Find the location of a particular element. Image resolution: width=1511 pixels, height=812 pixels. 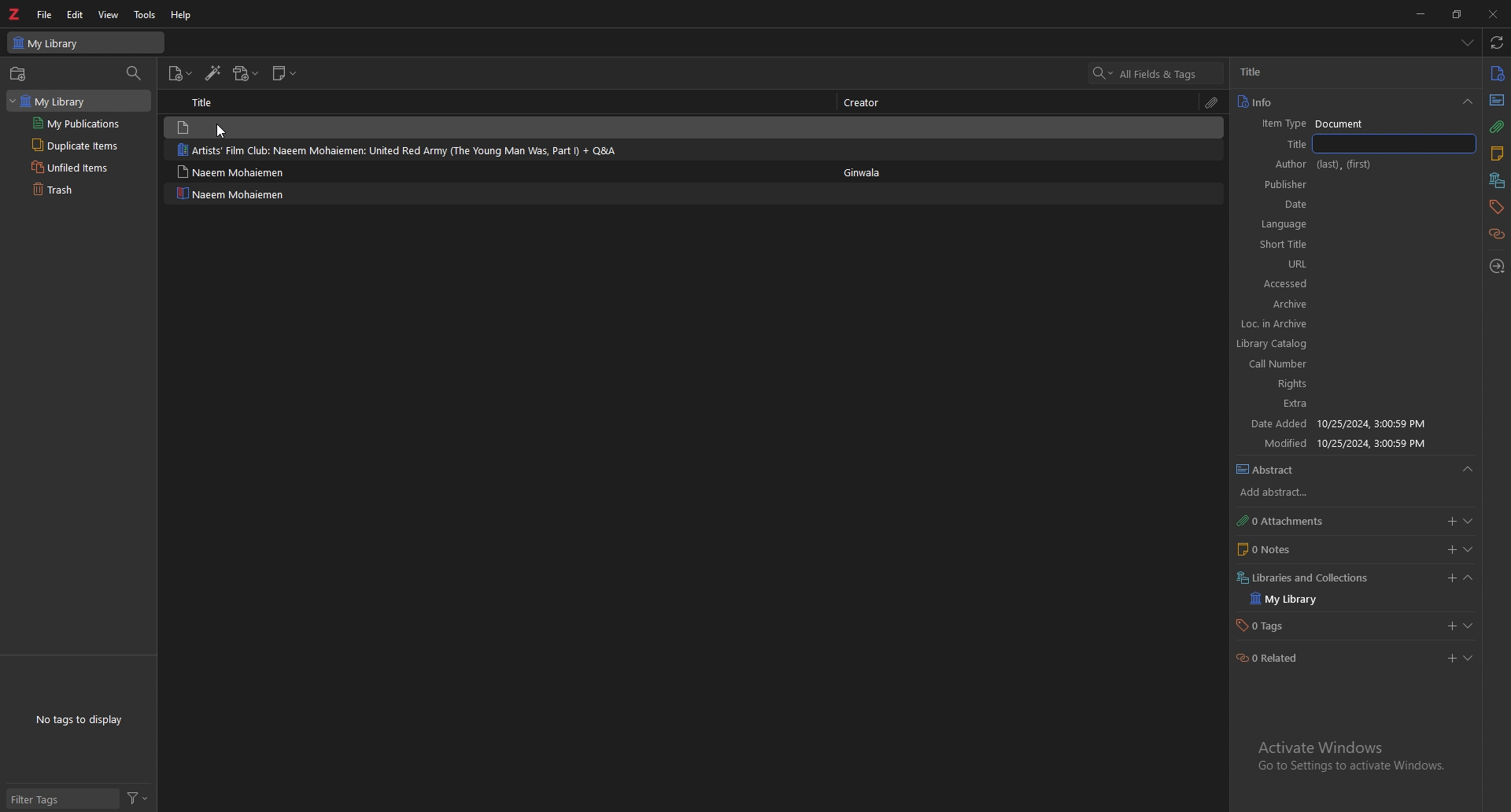

drop down is located at coordinates (1468, 103).